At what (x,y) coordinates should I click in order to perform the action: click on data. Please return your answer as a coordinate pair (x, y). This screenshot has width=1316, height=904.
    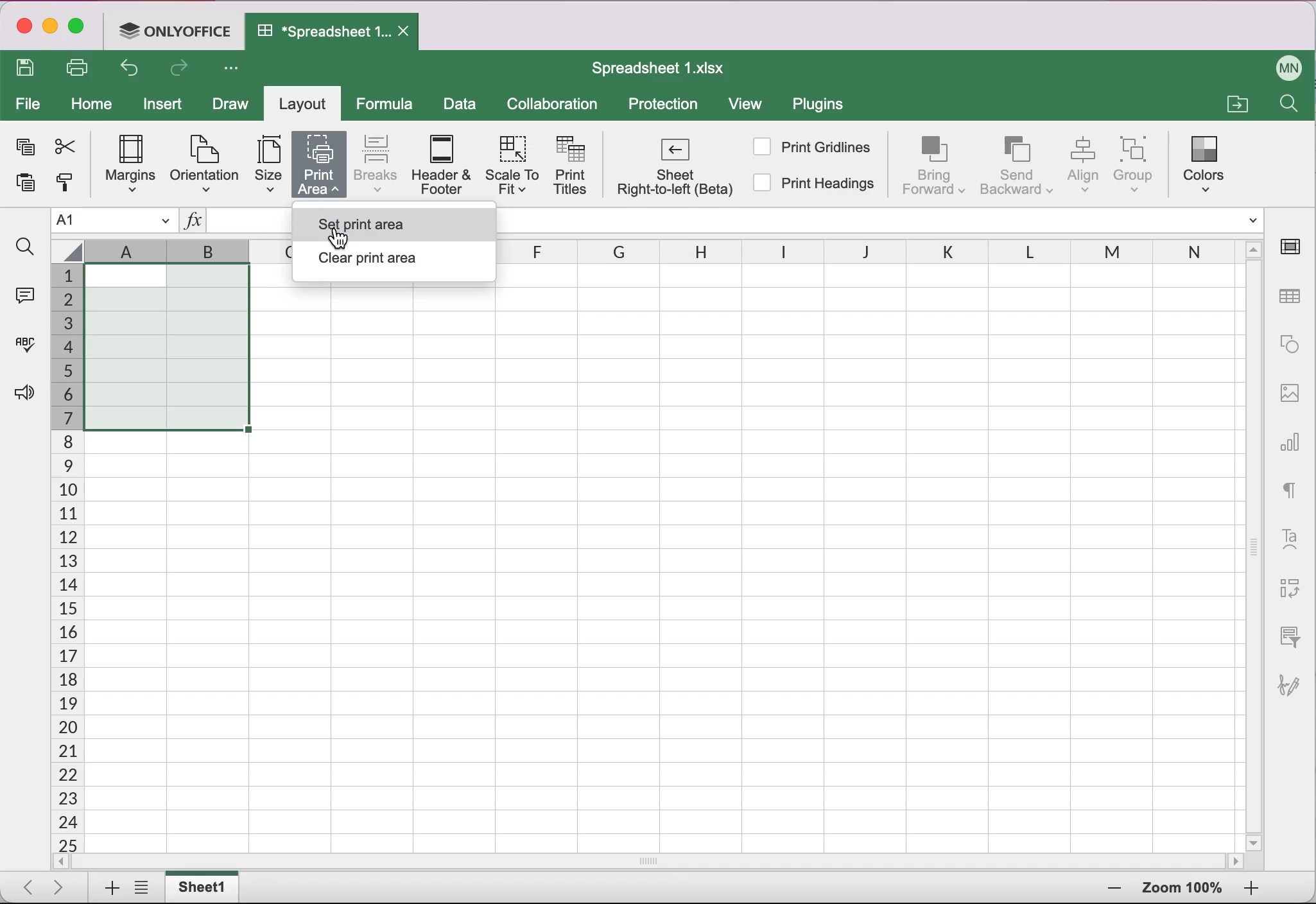
    Looking at the image, I should click on (461, 106).